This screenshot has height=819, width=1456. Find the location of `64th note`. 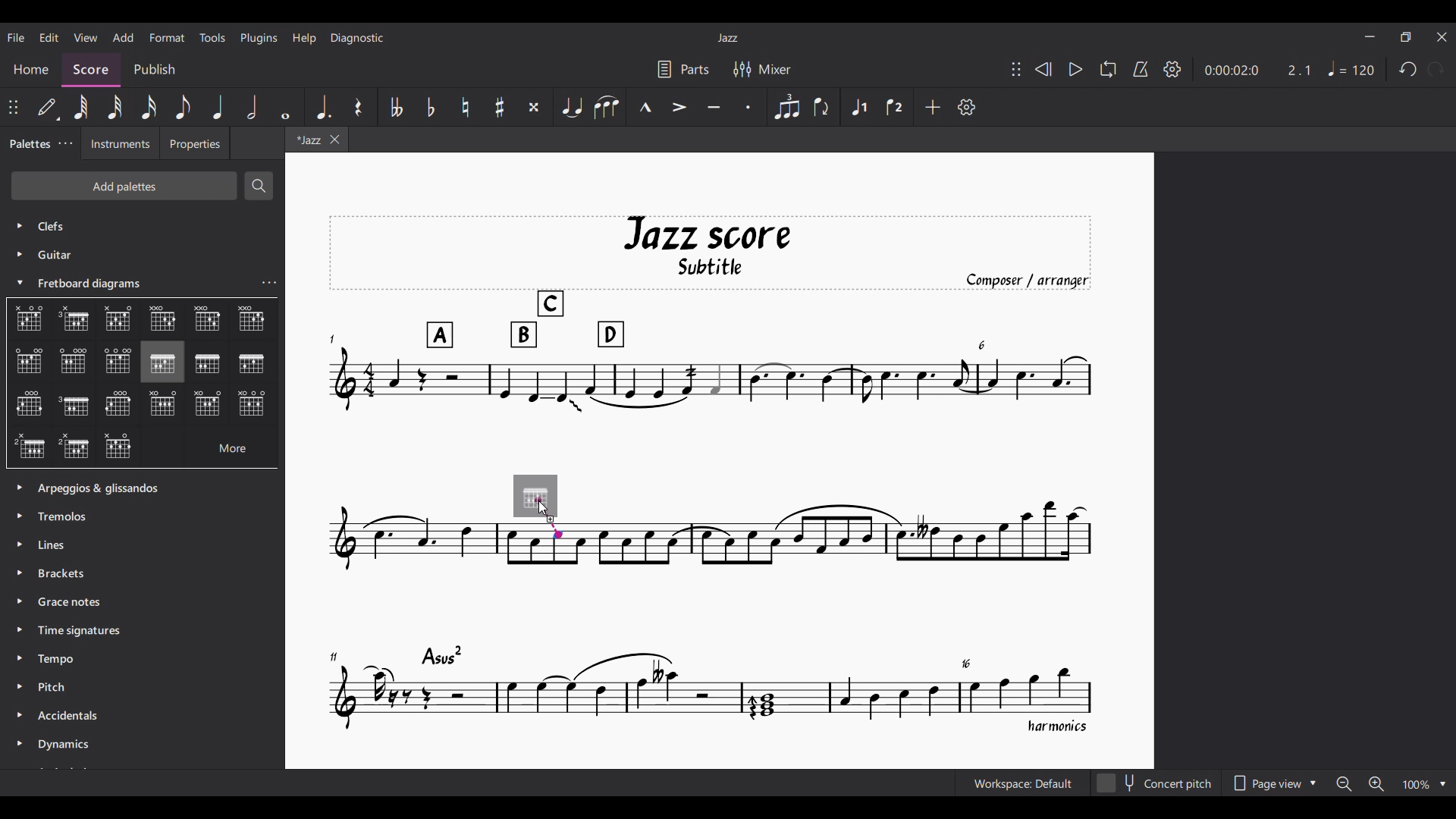

64th note is located at coordinates (80, 106).